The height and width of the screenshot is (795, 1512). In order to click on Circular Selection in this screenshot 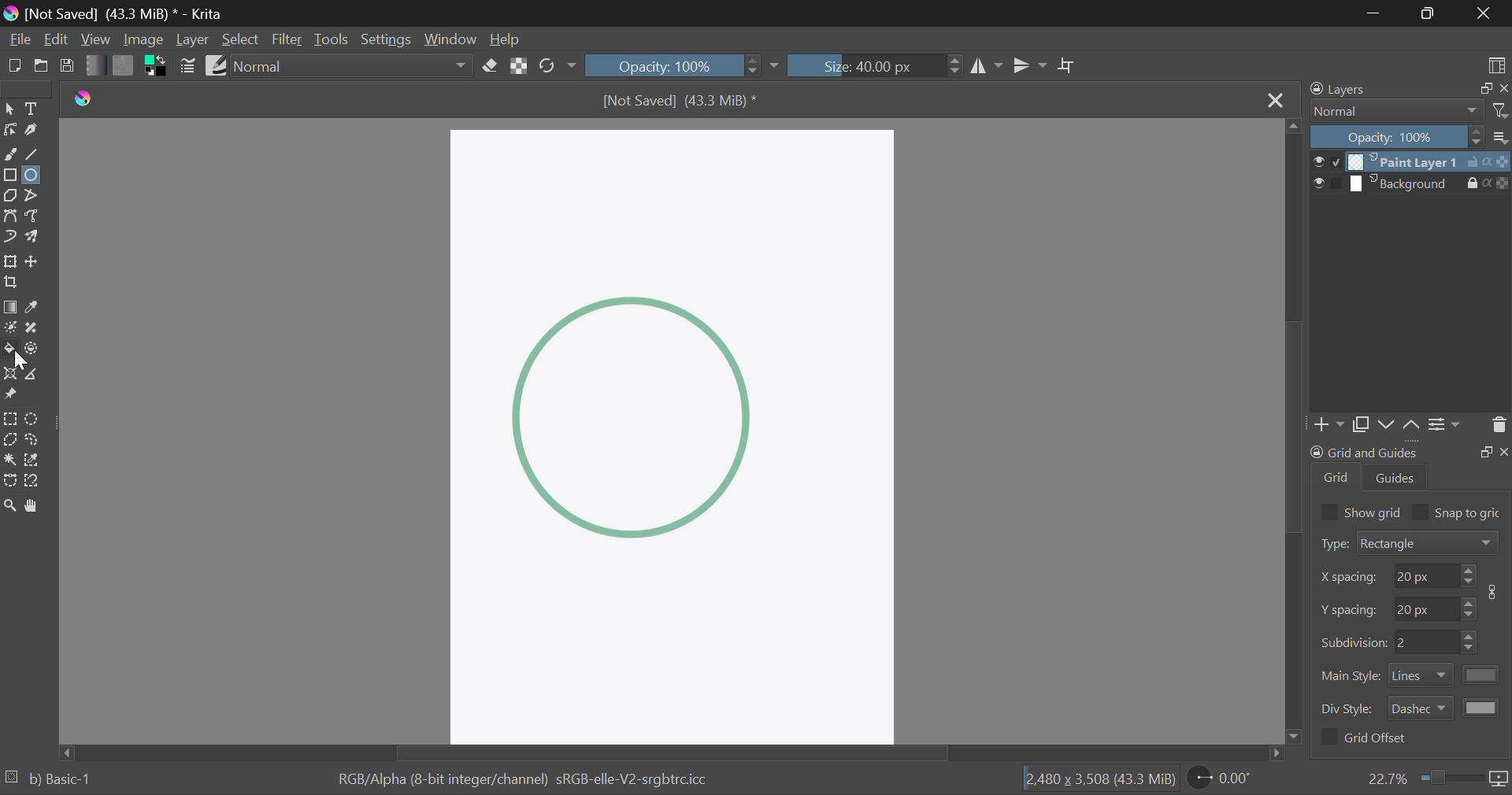, I will do `click(33, 418)`.